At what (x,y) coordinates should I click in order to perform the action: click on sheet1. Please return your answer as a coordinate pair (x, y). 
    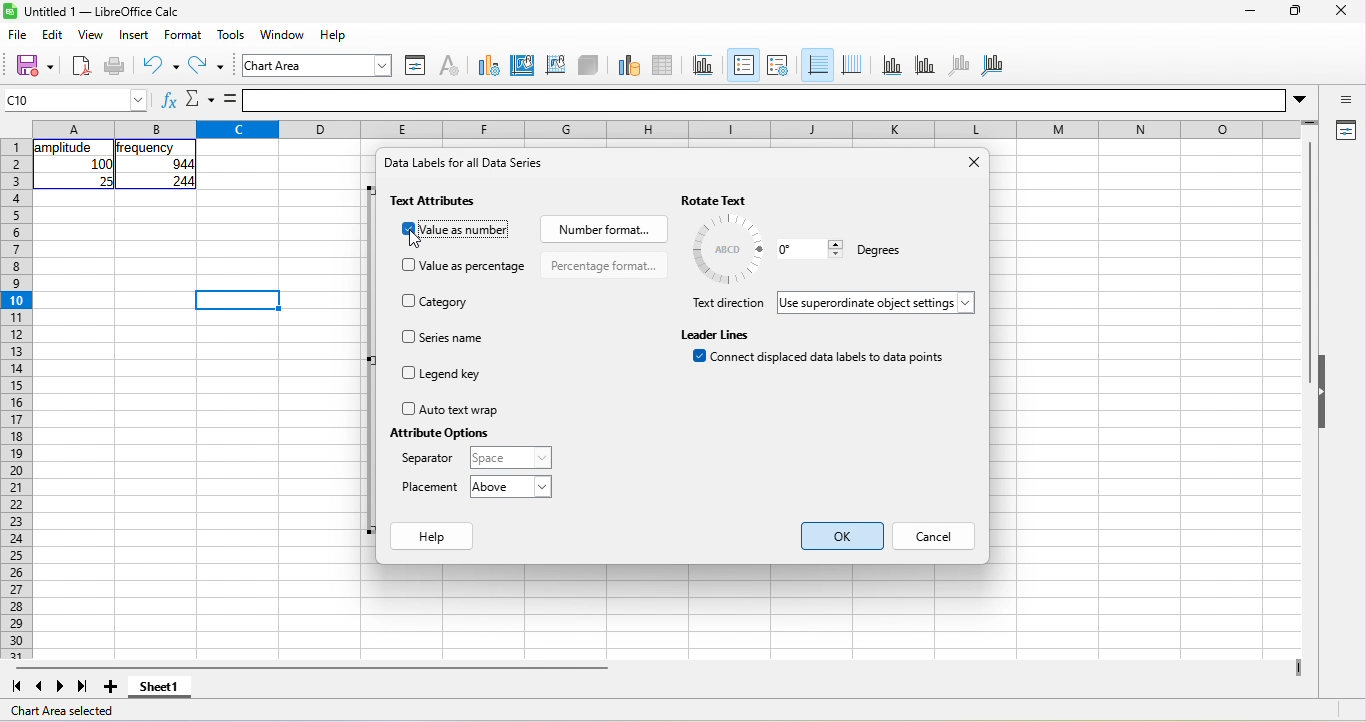
    Looking at the image, I should click on (168, 692).